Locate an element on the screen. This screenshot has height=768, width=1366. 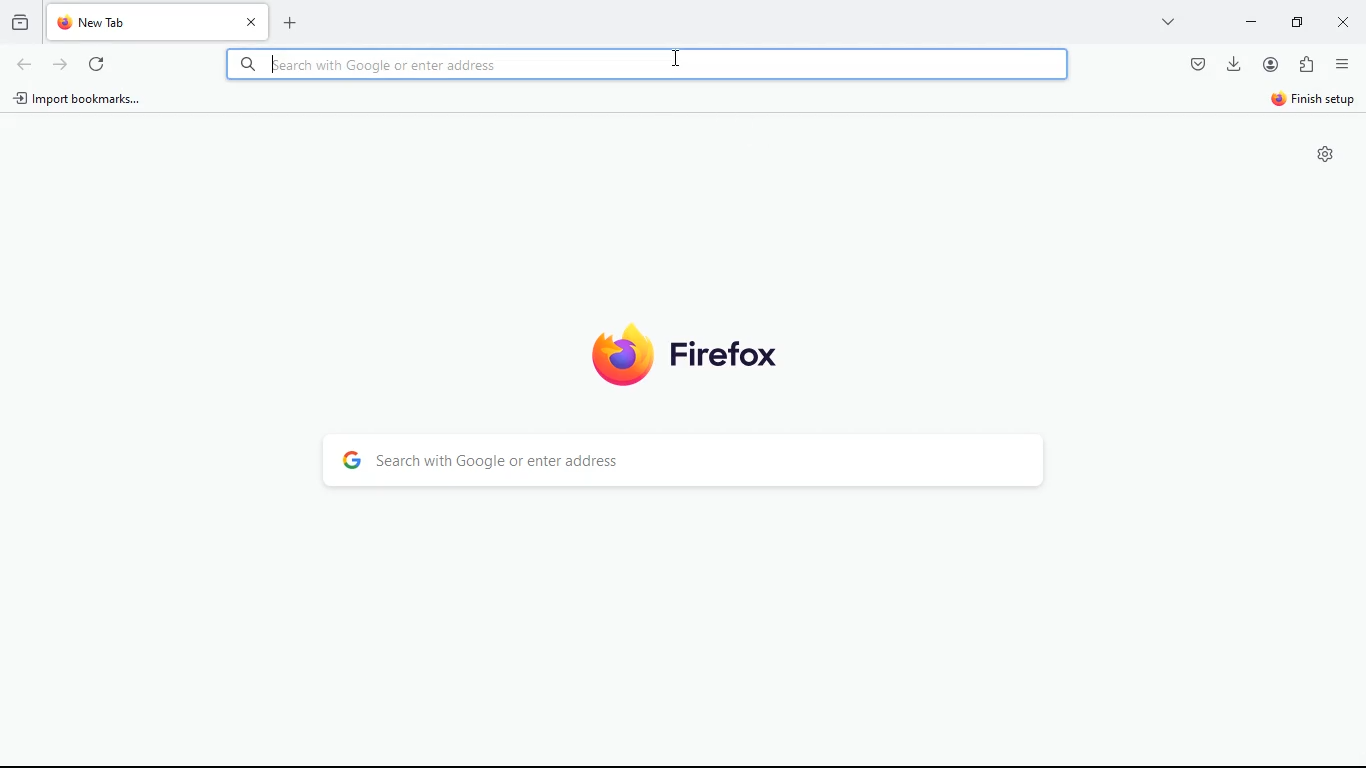
search is located at coordinates (679, 459).